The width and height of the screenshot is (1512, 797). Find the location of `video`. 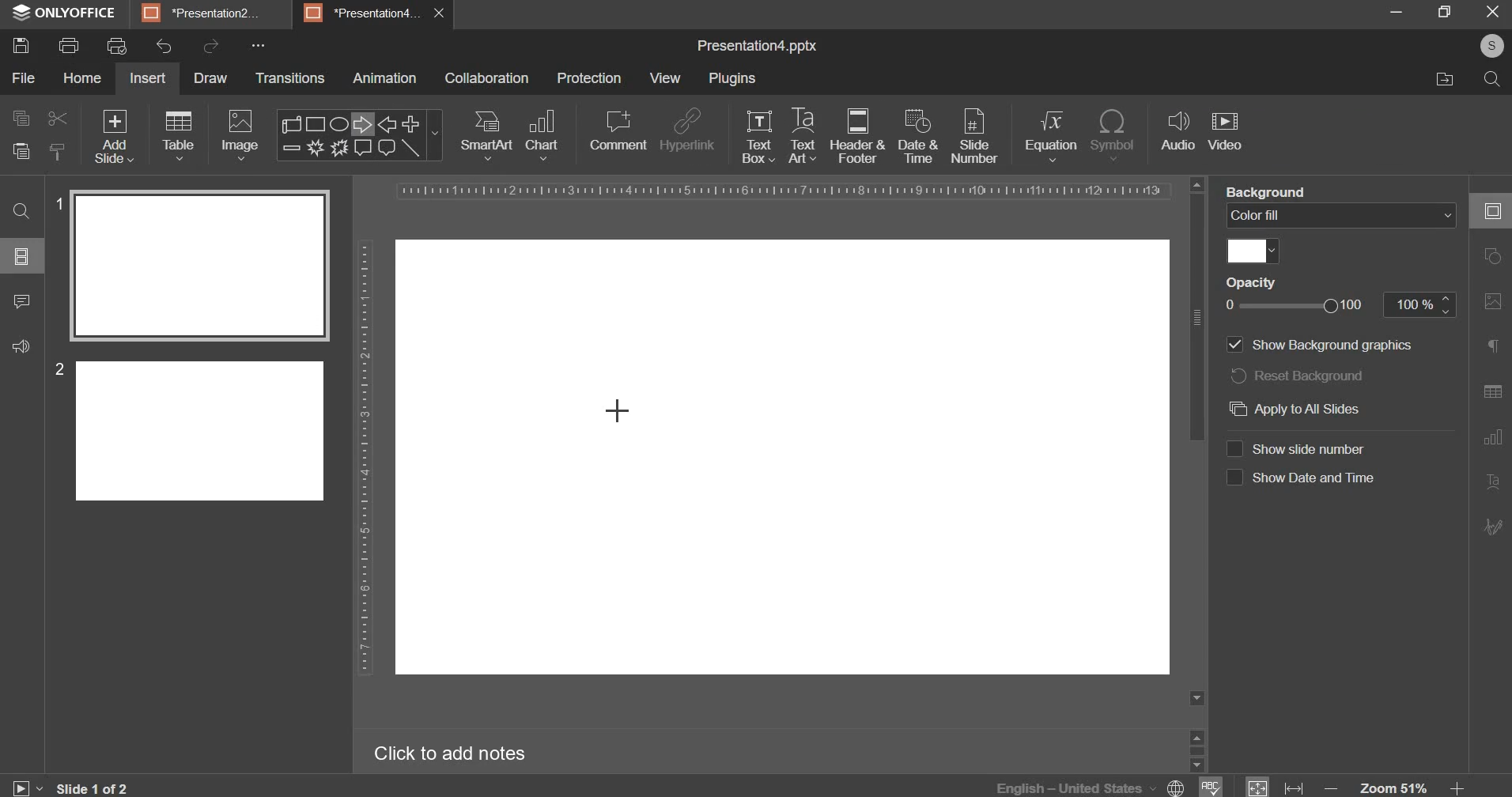

video is located at coordinates (1225, 130).